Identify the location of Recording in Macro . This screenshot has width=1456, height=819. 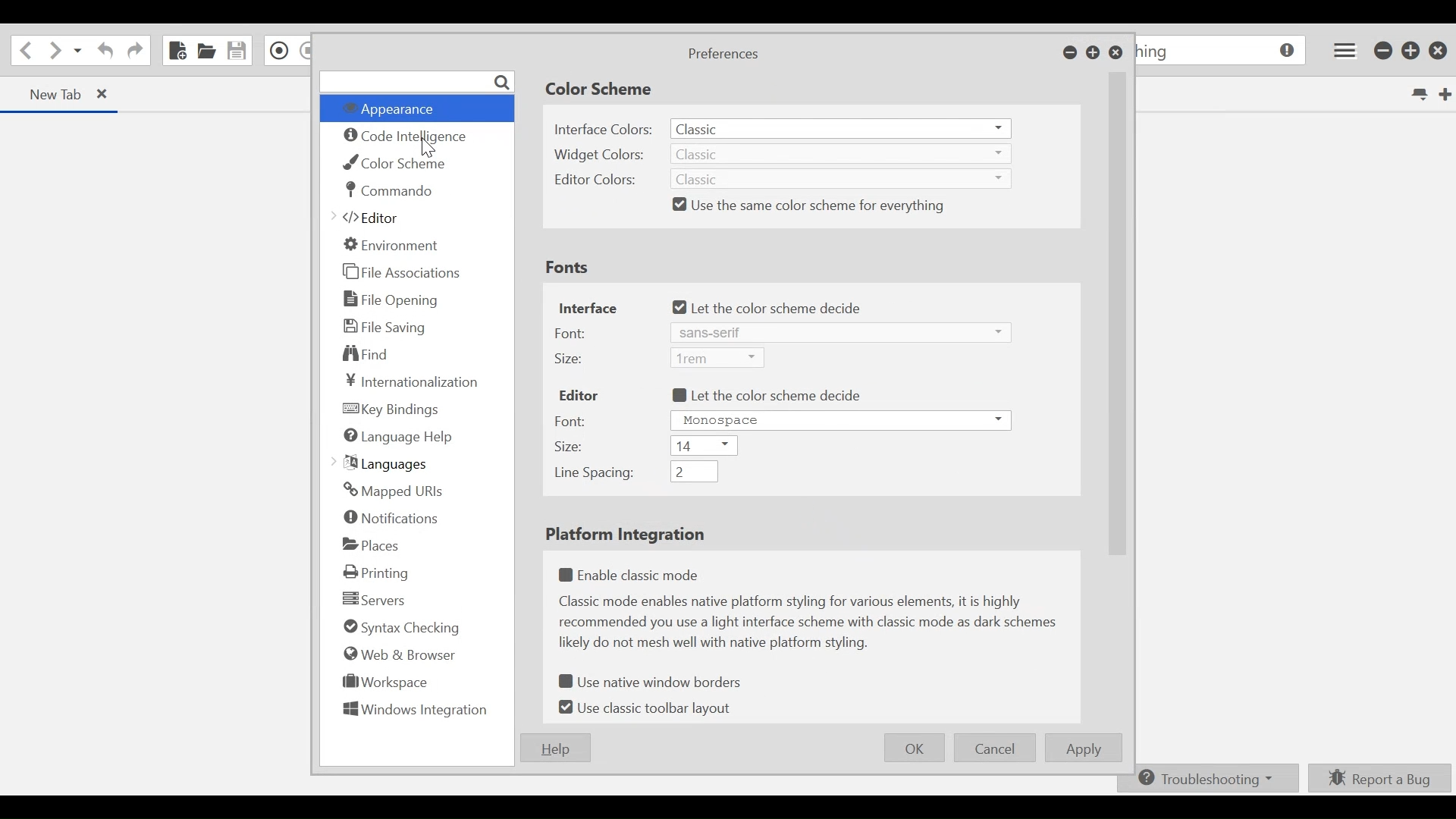
(280, 50).